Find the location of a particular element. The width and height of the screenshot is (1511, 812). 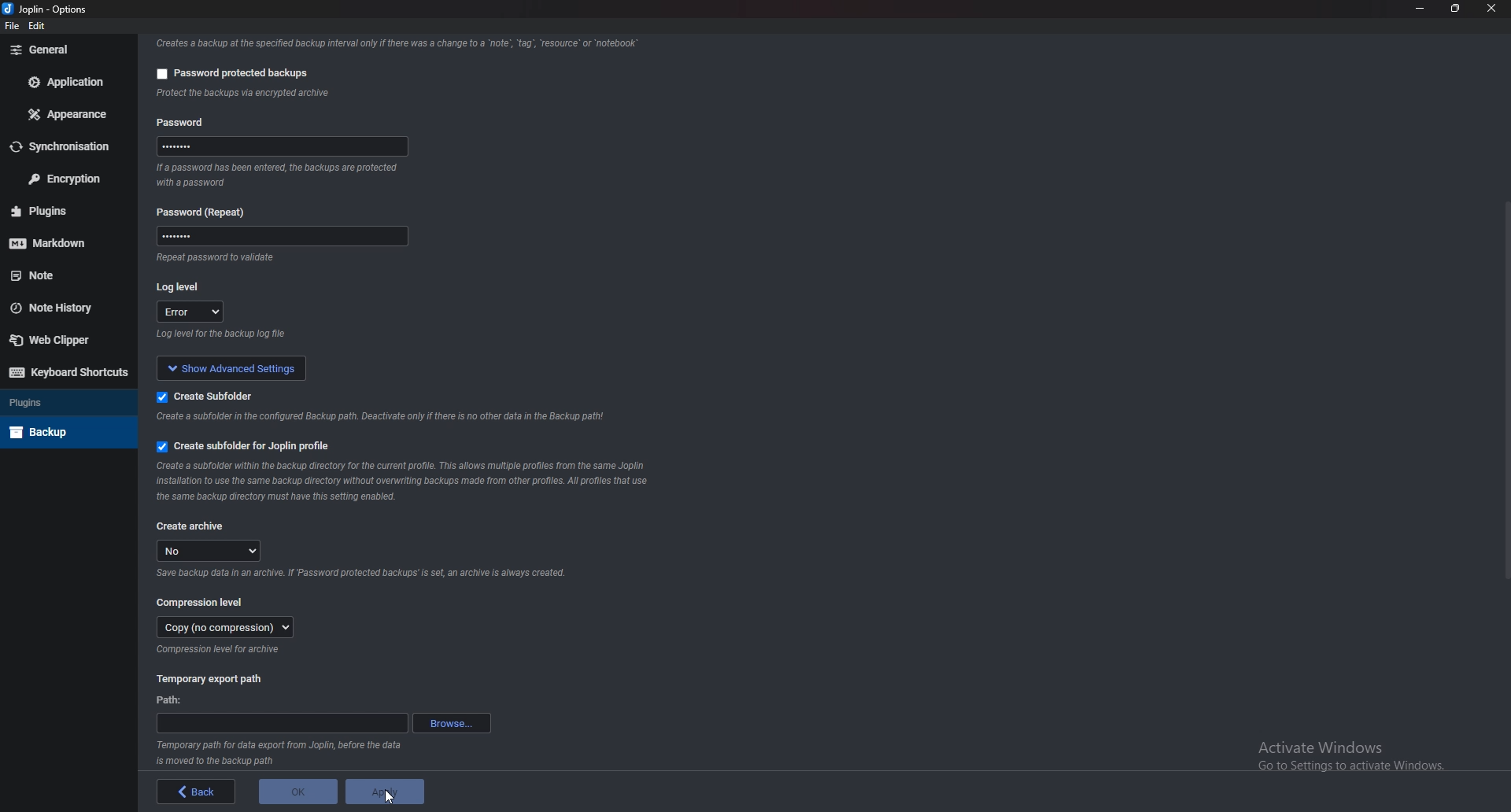

Resize is located at coordinates (1457, 8).